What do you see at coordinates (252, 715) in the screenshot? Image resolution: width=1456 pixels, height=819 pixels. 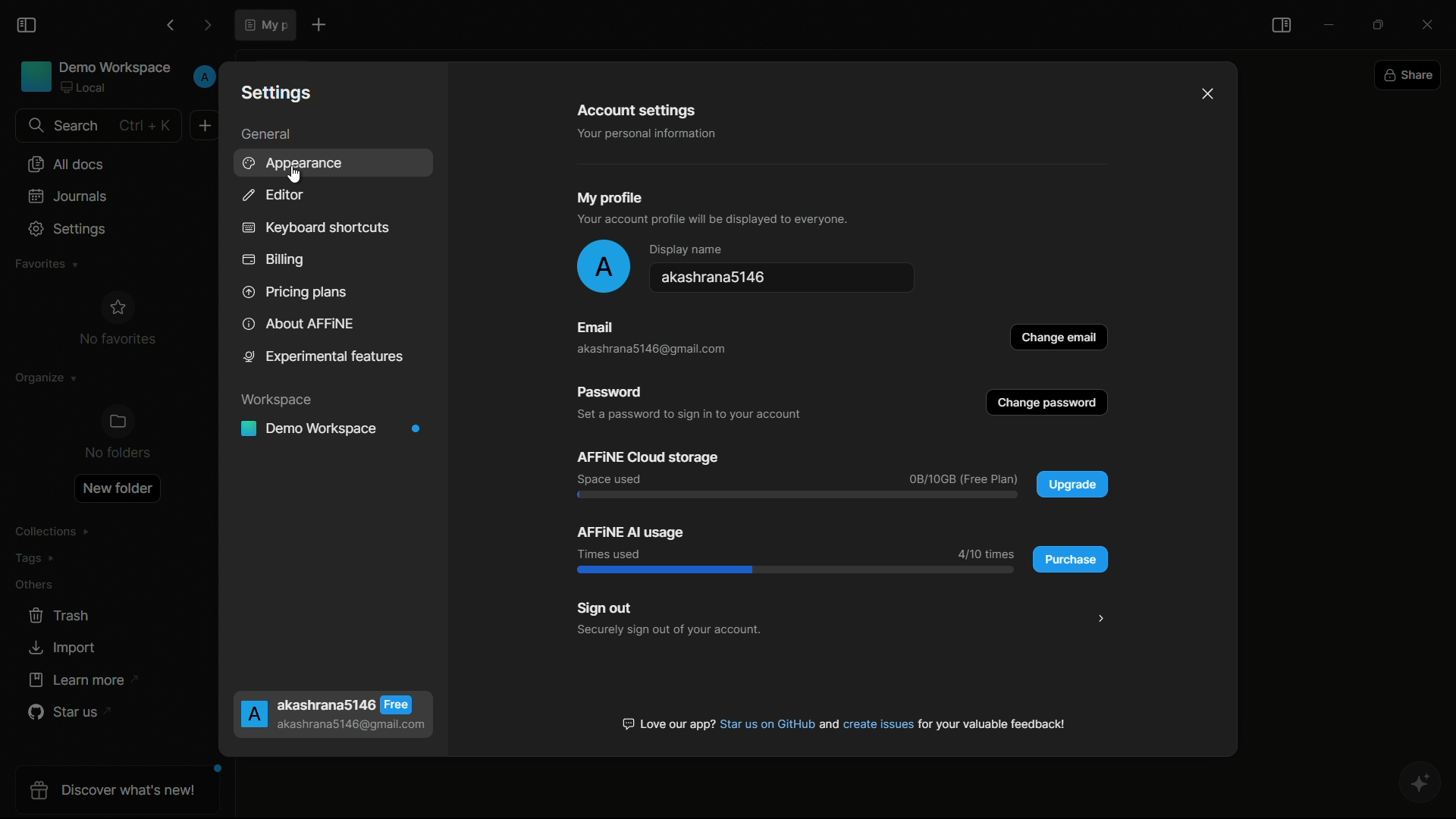 I see `Profile image` at bounding box center [252, 715].